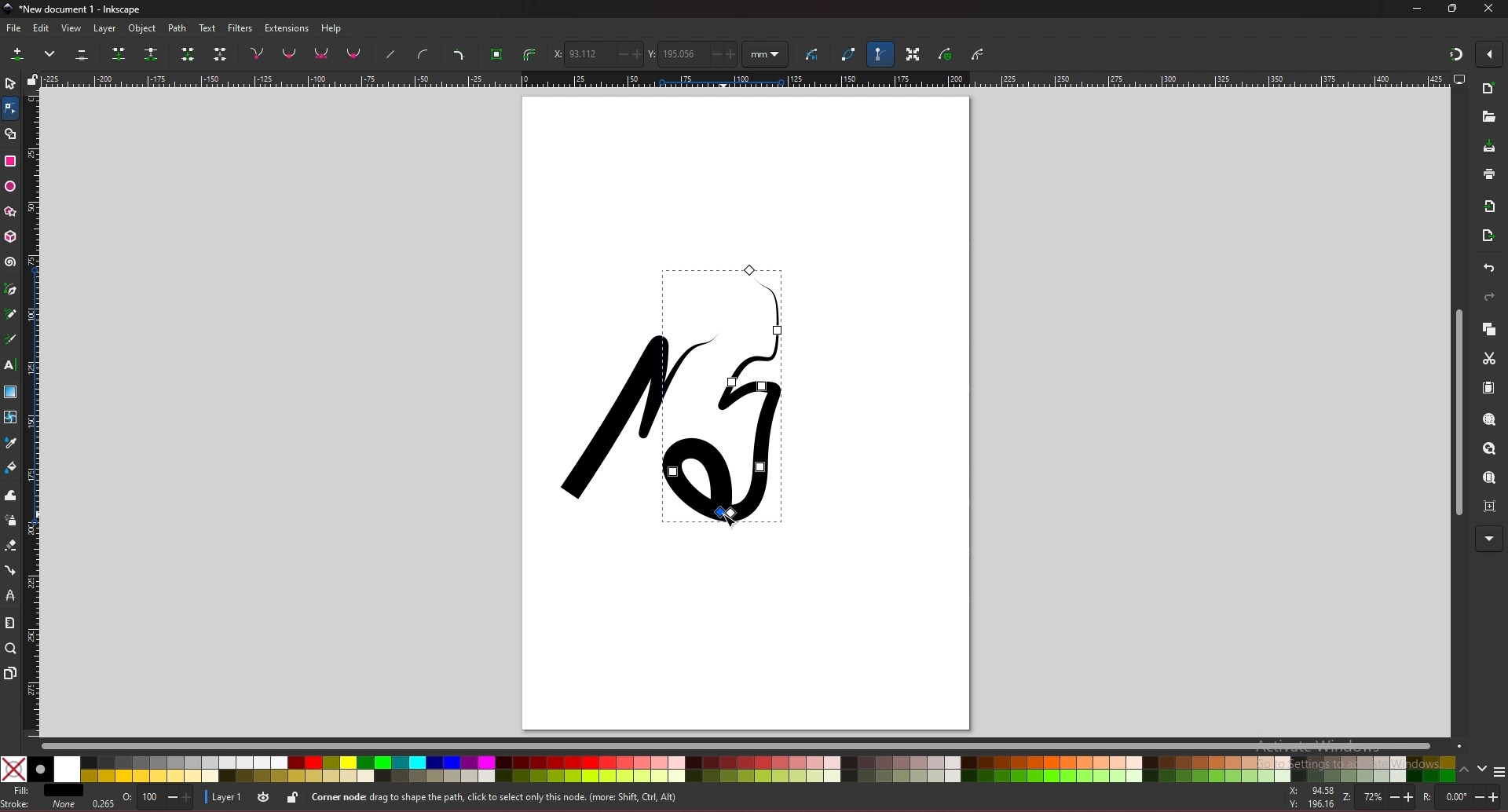  What do you see at coordinates (1453, 9) in the screenshot?
I see `resize` at bounding box center [1453, 9].